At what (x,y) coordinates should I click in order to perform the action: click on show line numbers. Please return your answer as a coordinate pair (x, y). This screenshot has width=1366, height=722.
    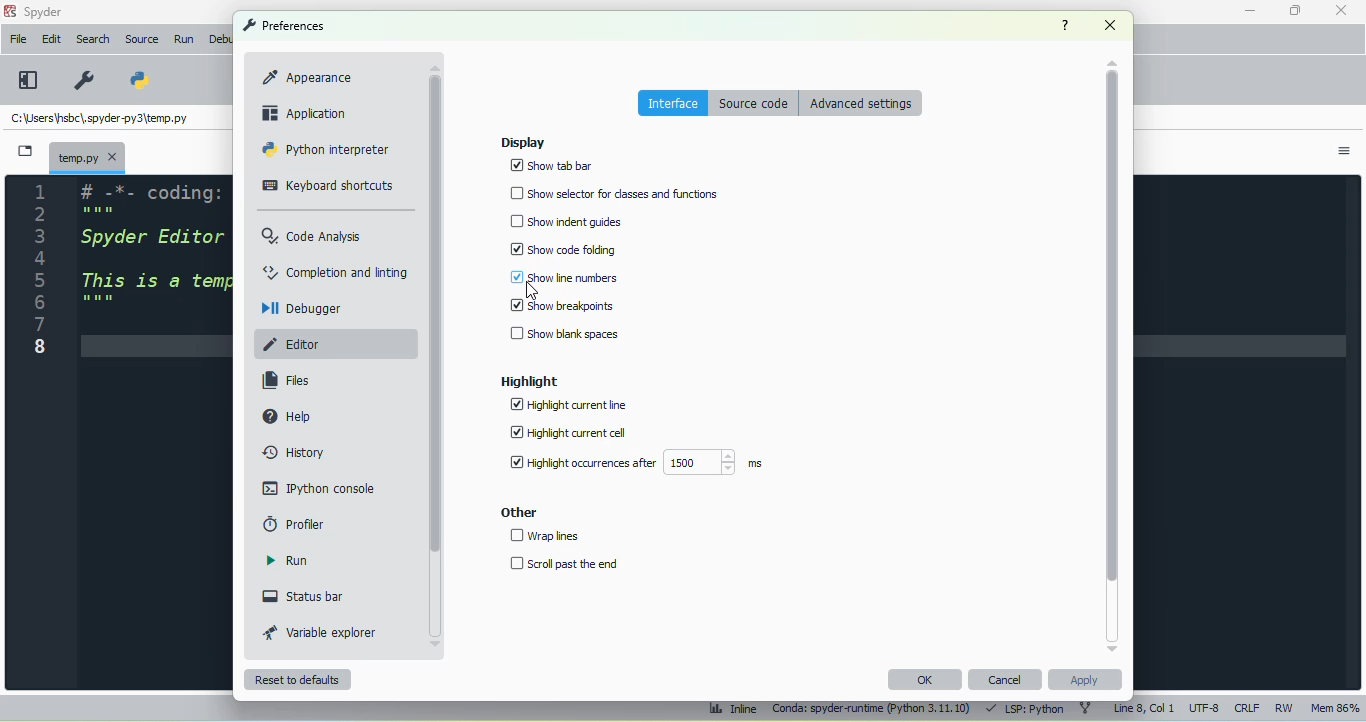
    Looking at the image, I should click on (566, 276).